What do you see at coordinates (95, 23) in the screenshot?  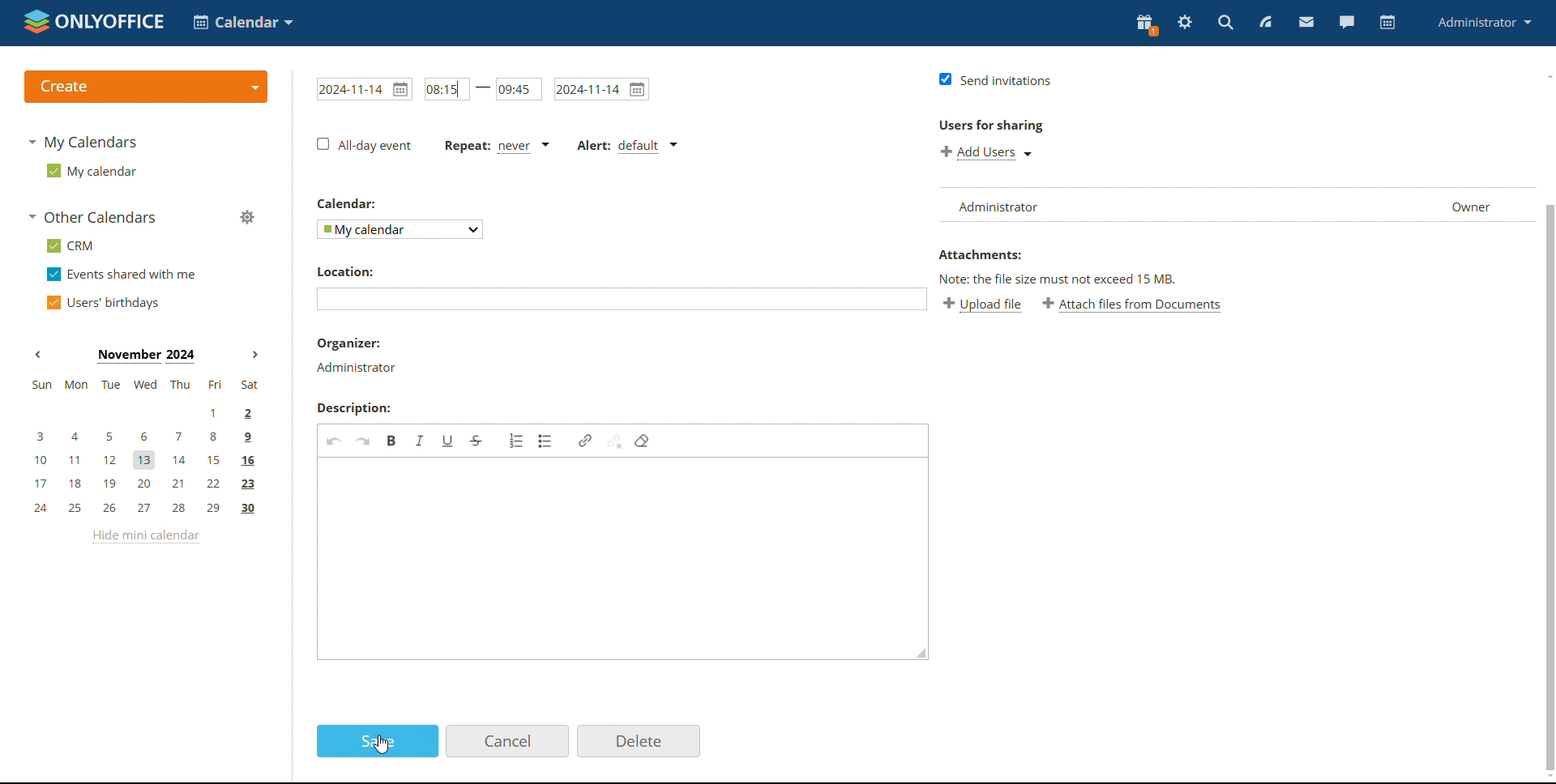 I see `logo` at bounding box center [95, 23].